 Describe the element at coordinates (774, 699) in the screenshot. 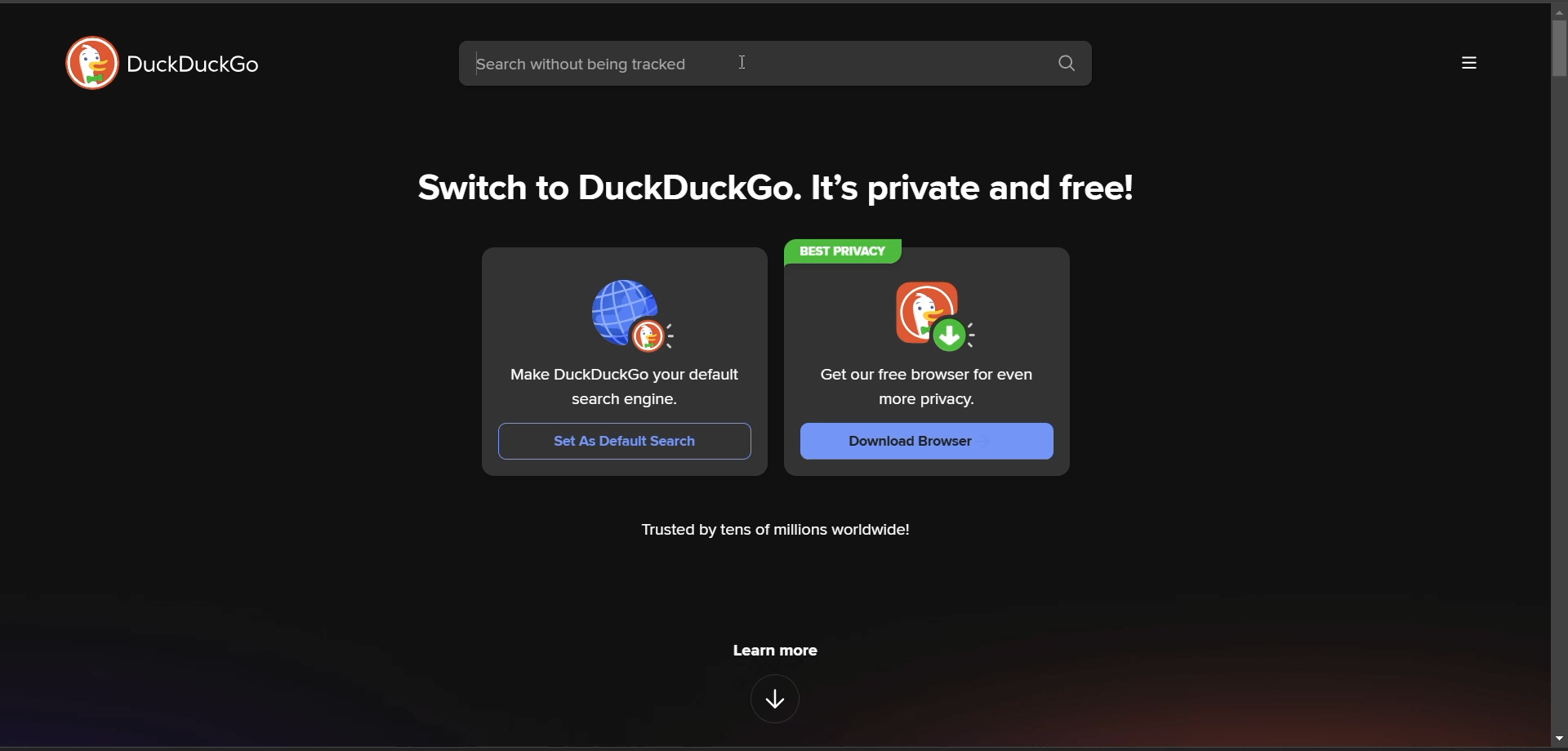

I see `features` at that location.